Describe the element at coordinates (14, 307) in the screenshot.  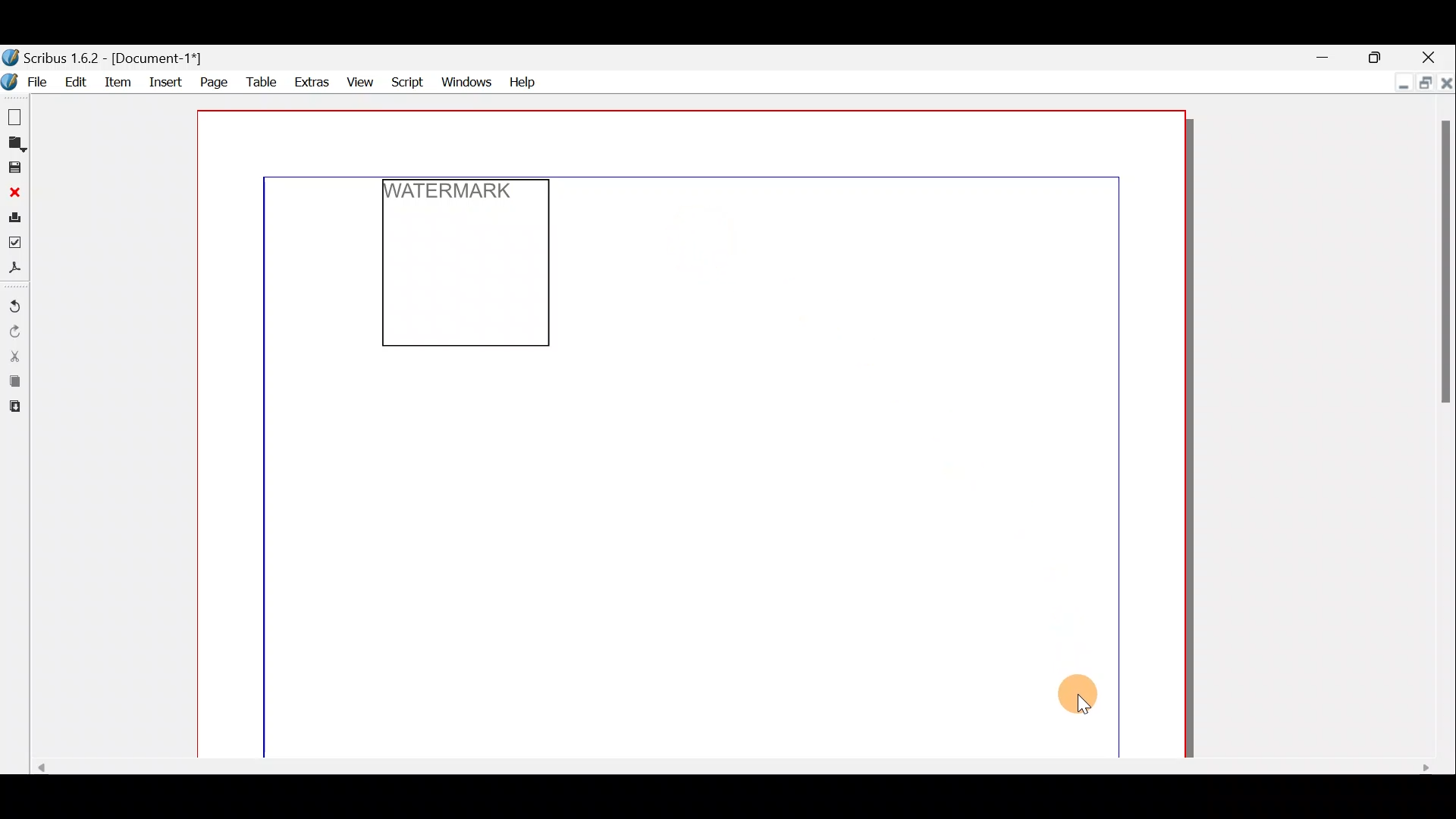
I see `Undo` at that location.